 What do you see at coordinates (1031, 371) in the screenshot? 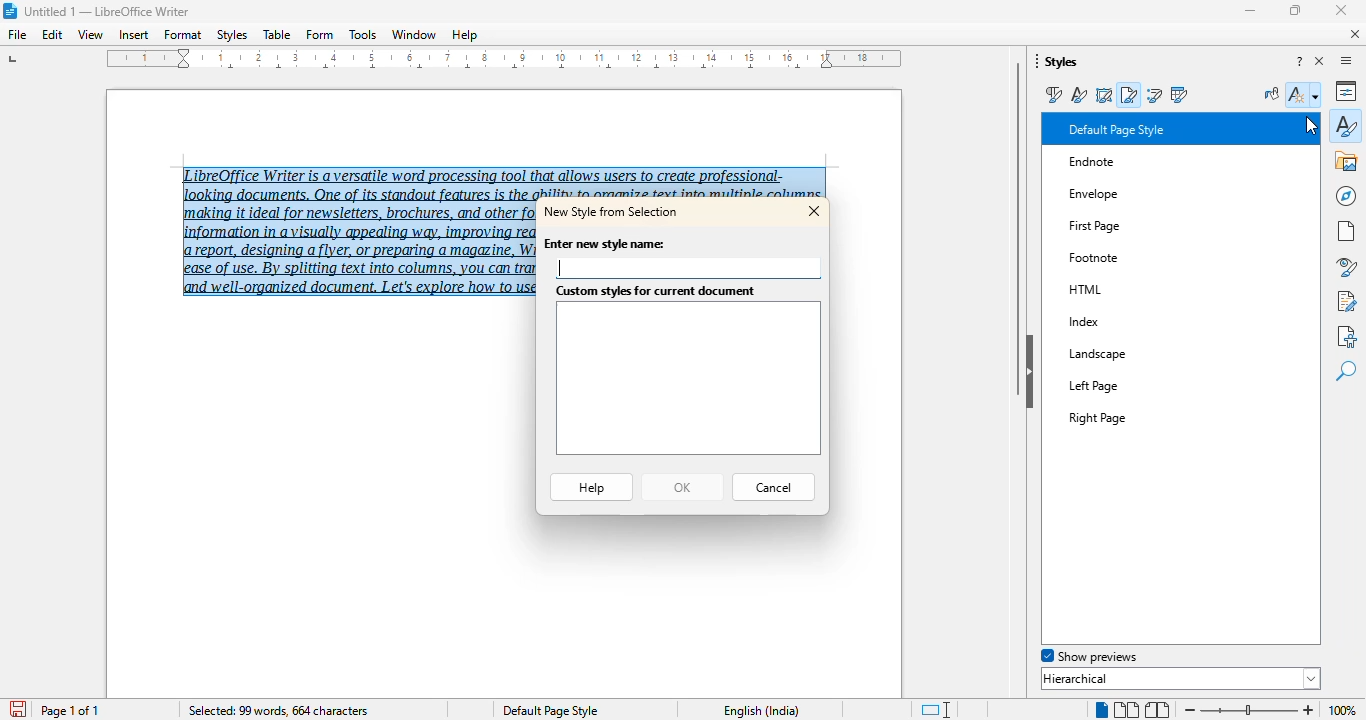
I see `hide` at bounding box center [1031, 371].